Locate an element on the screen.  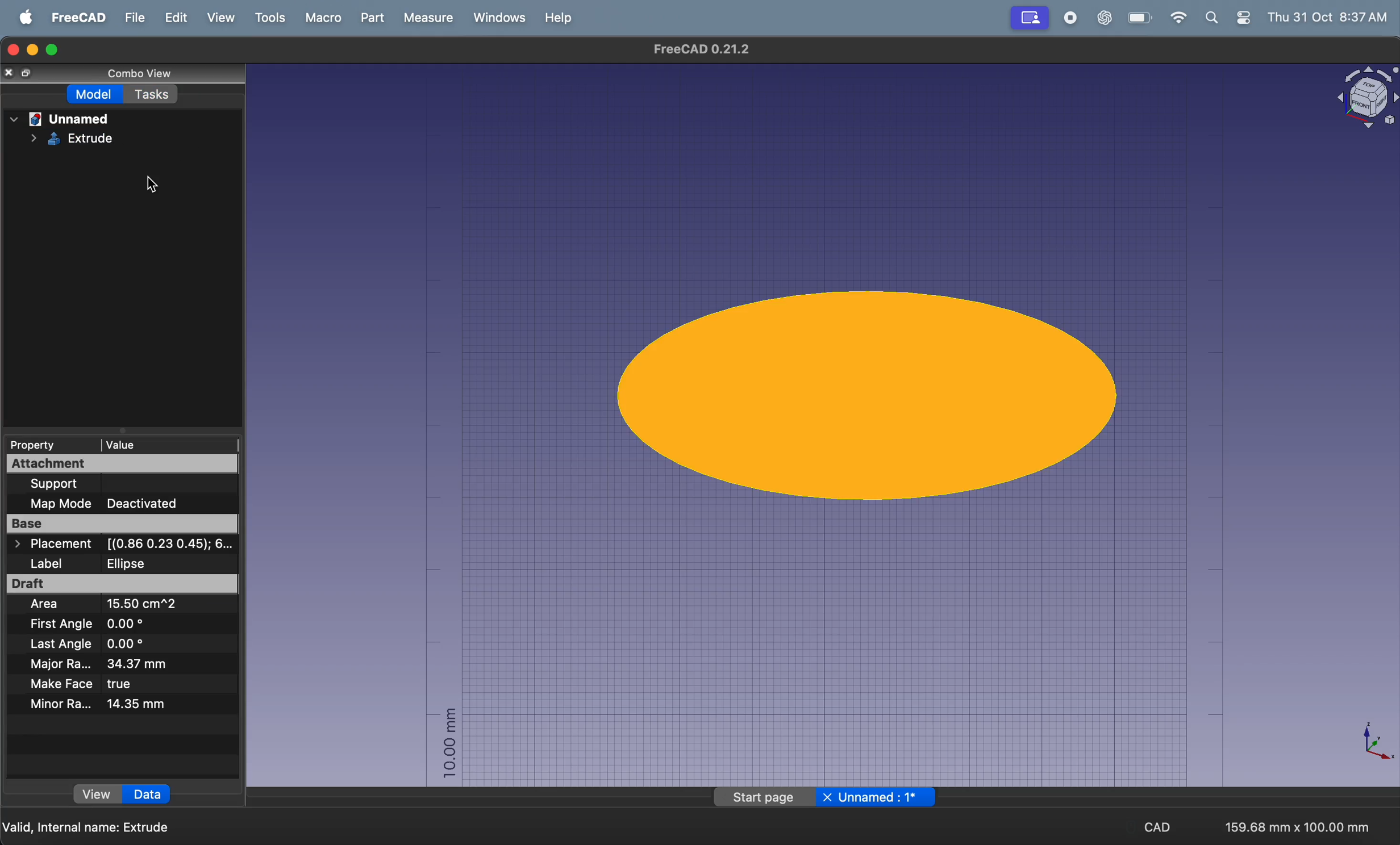
tasks is located at coordinates (159, 98).